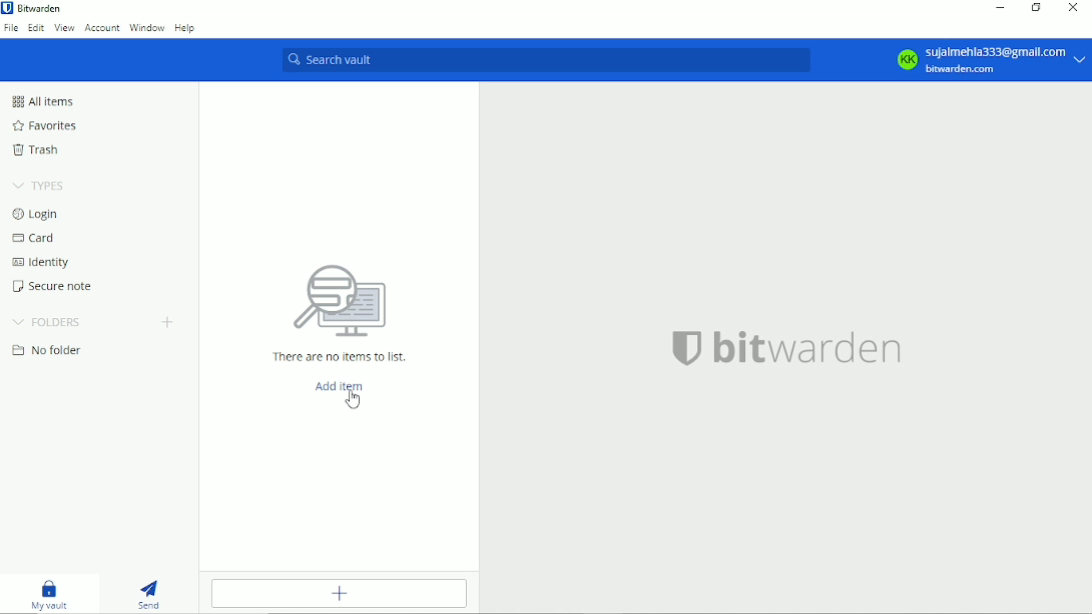  What do you see at coordinates (33, 239) in the screenshot?
I see `Card` at bounding box center [33, 239].